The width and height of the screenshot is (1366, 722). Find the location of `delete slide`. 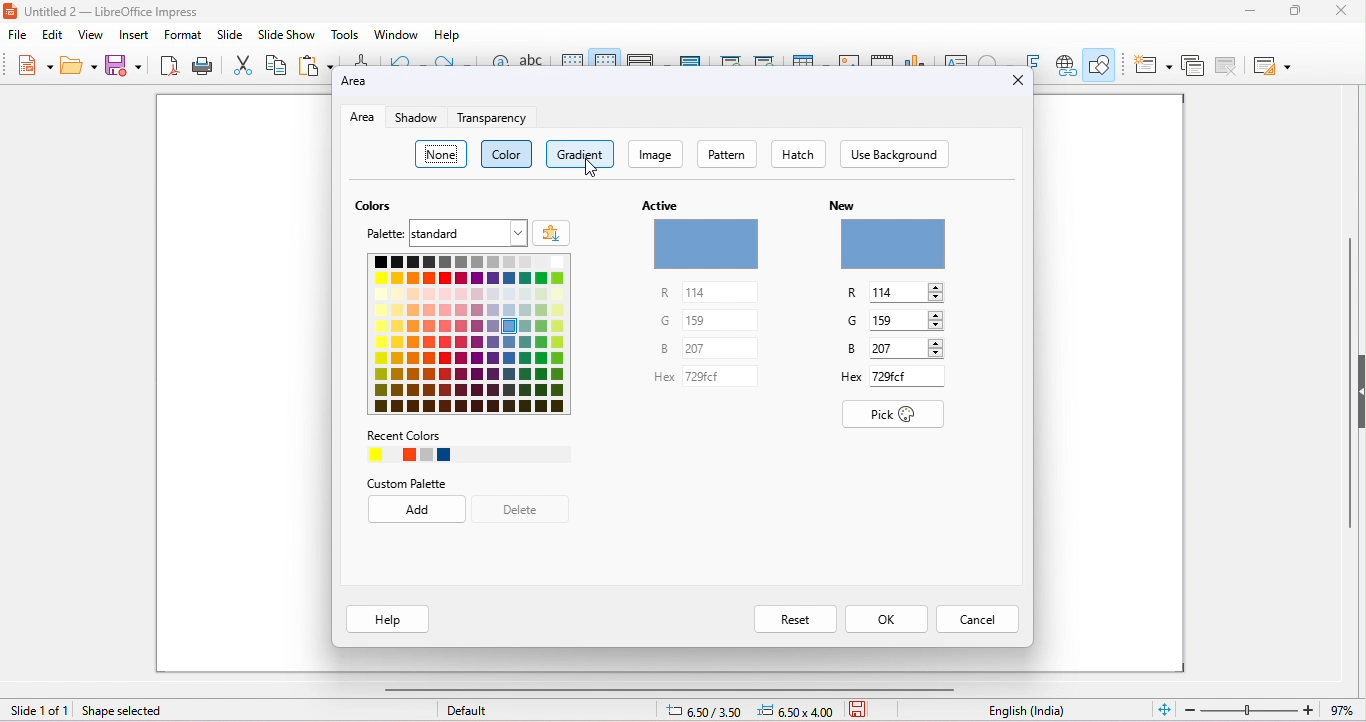

delete slide is located at coordinates (1229, 68).